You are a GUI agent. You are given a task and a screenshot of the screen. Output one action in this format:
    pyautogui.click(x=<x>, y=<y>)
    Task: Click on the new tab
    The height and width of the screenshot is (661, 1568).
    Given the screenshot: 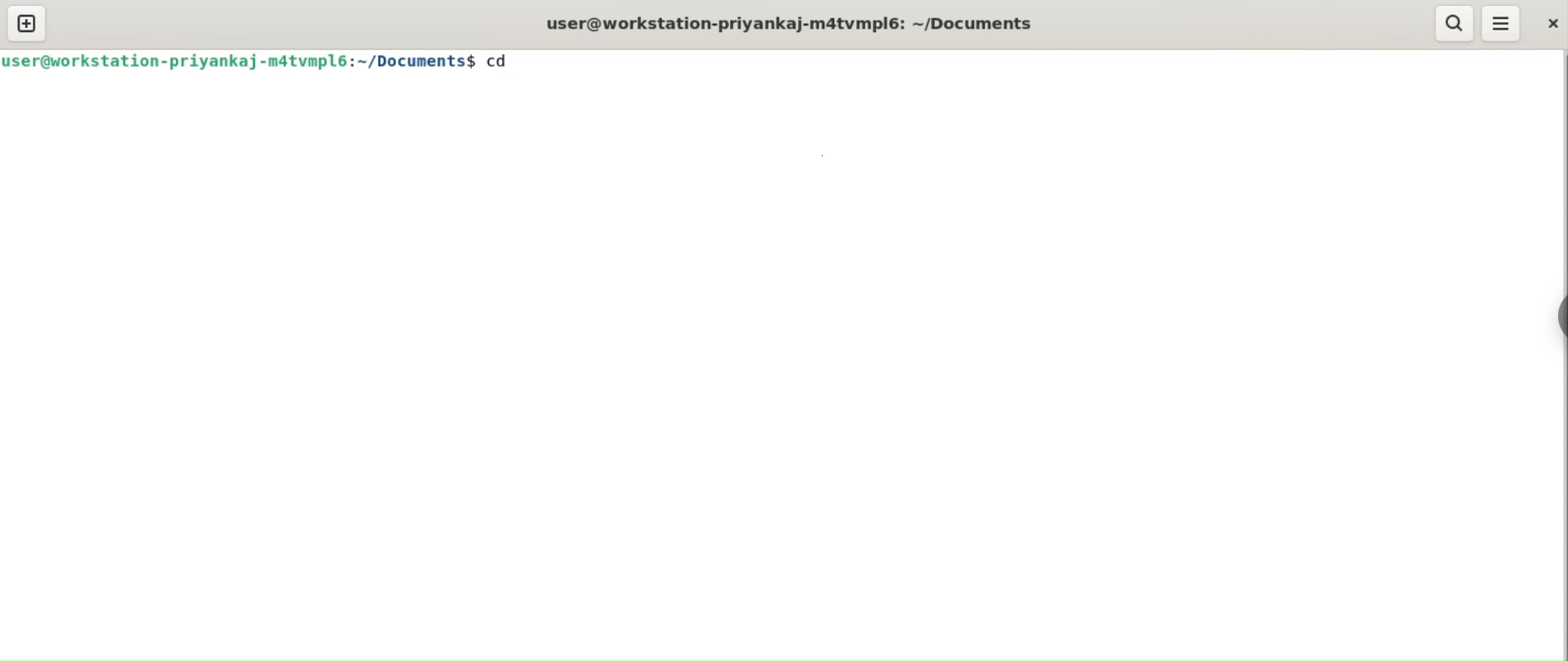 What is the action you would take?
    pyautogui.click(x=27, y=23)
    